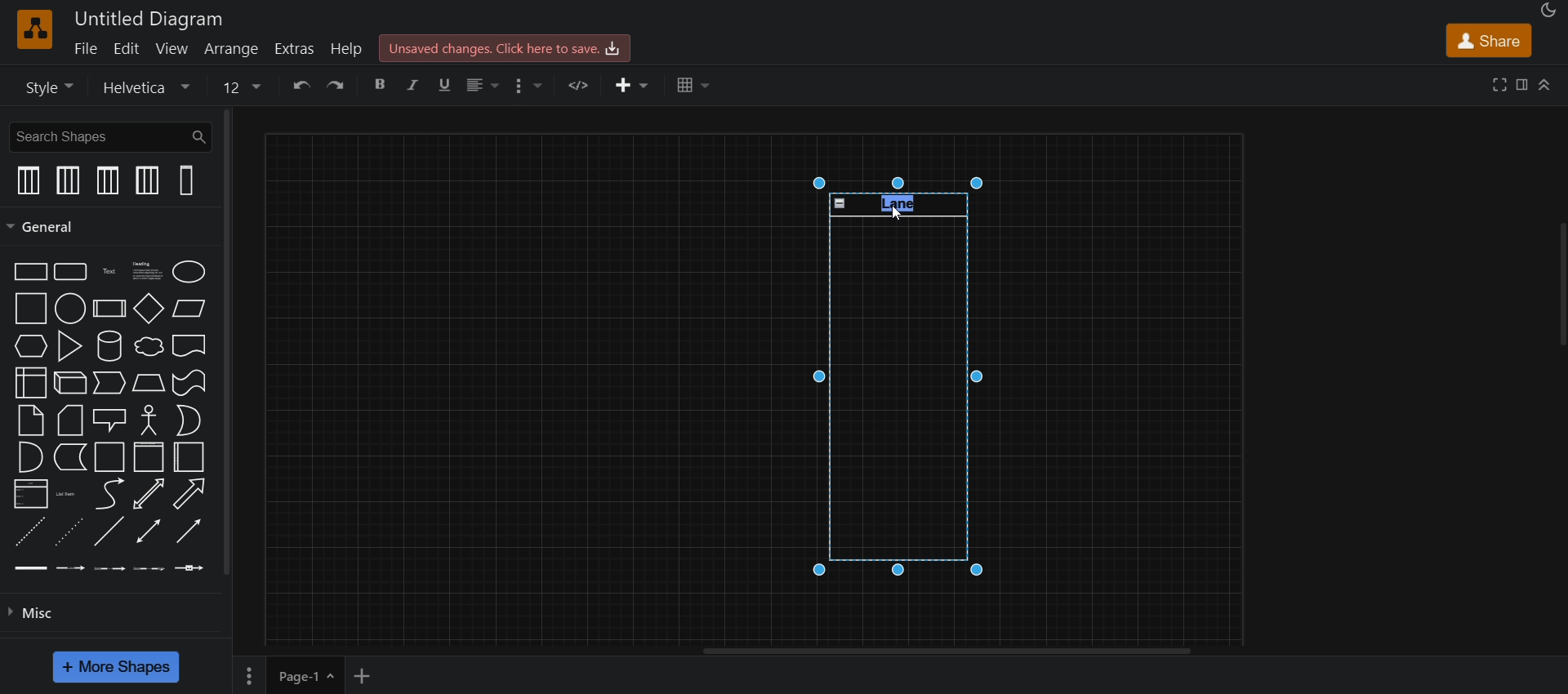 The height and width of the screenshot is (694, 1568). Describe the element at coordinates (299, 47) in the screenshot. I see `extras` at that location.